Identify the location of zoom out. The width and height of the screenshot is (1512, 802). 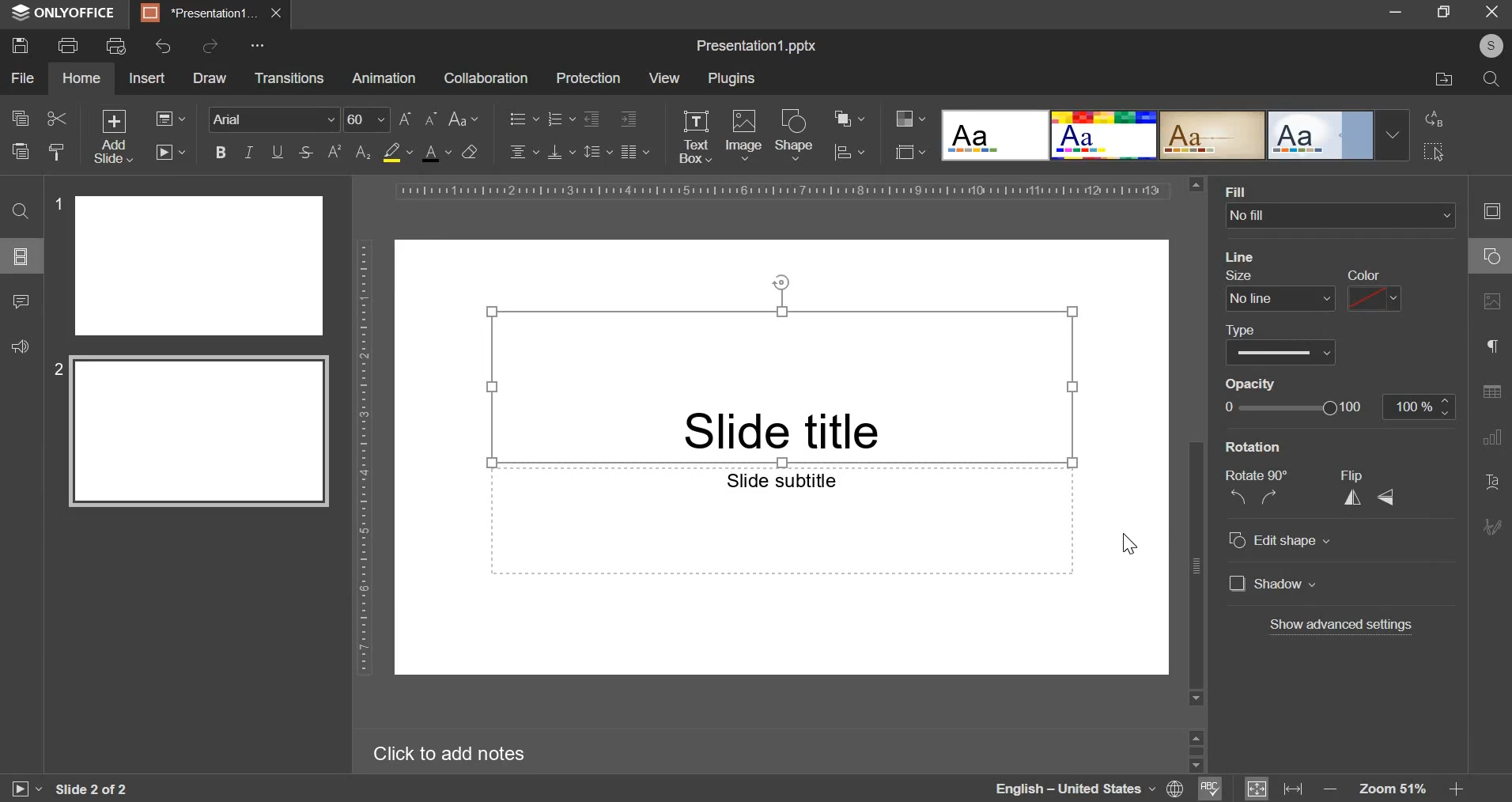
(1332, 790).